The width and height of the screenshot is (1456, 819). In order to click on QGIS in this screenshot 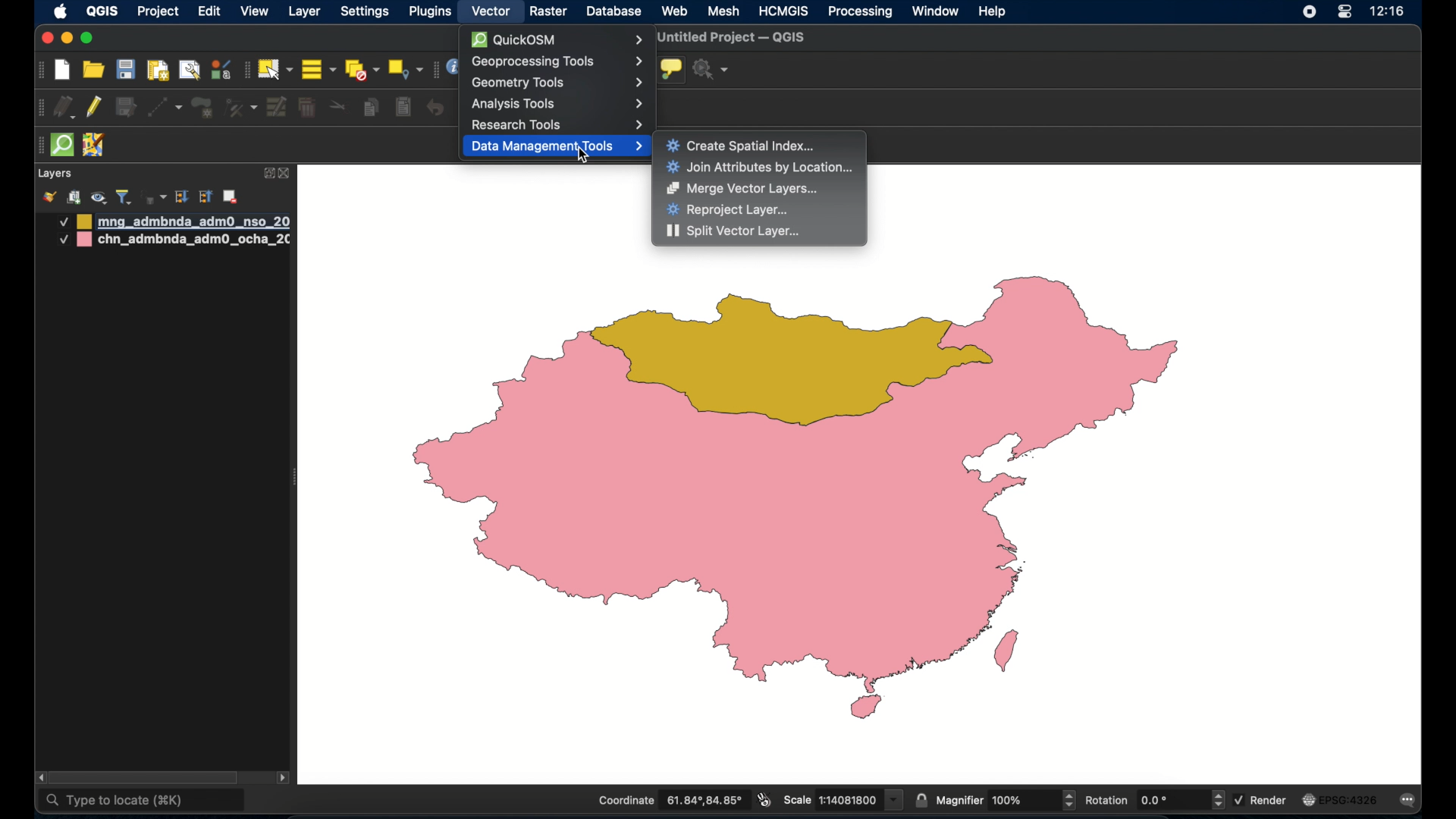, I will do `click(101, 11)`.